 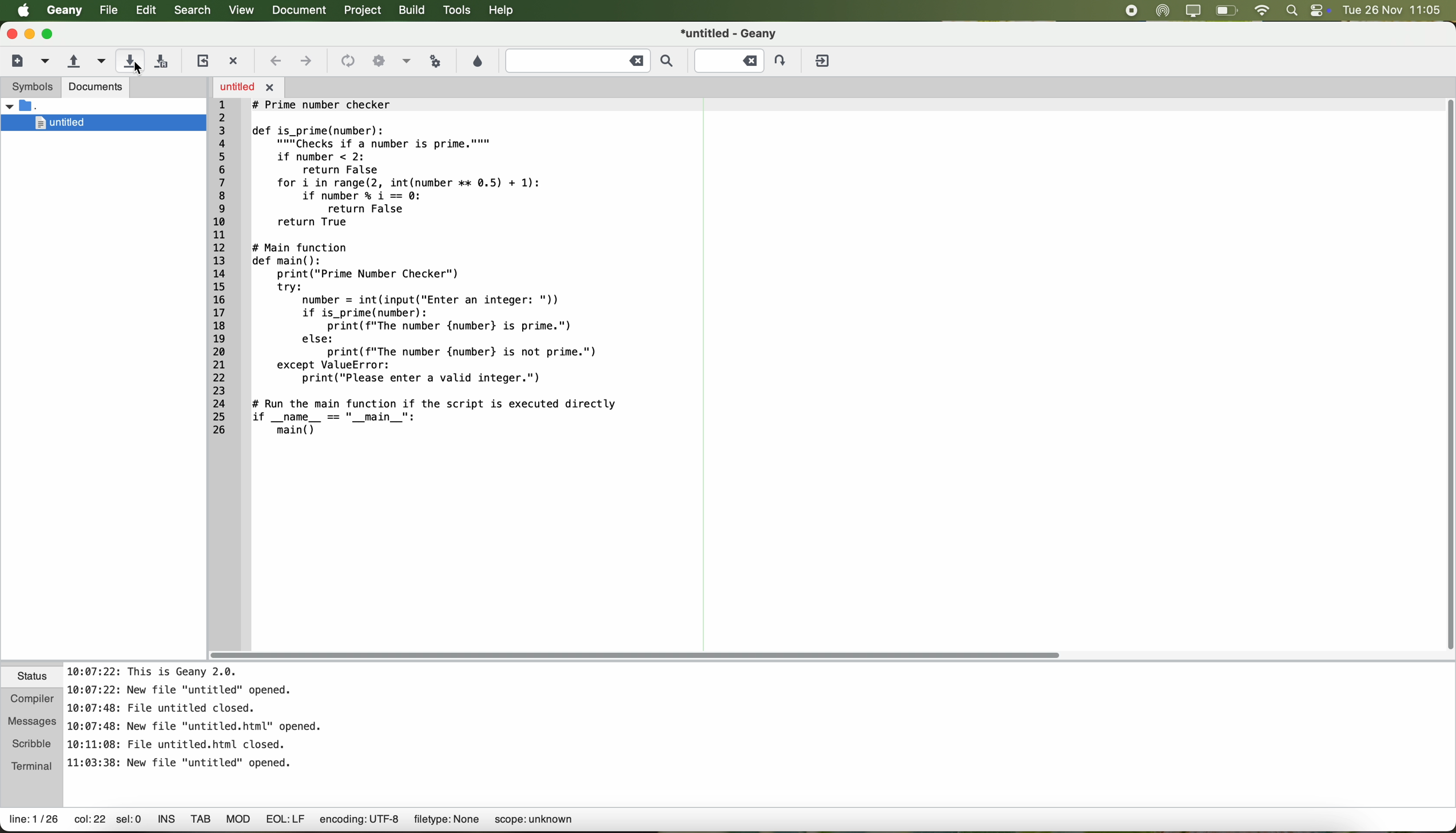 What do you see at coordinates (51, 34) in the screenshot?
I see `maximize Geany` at bounding box center [51, 34].